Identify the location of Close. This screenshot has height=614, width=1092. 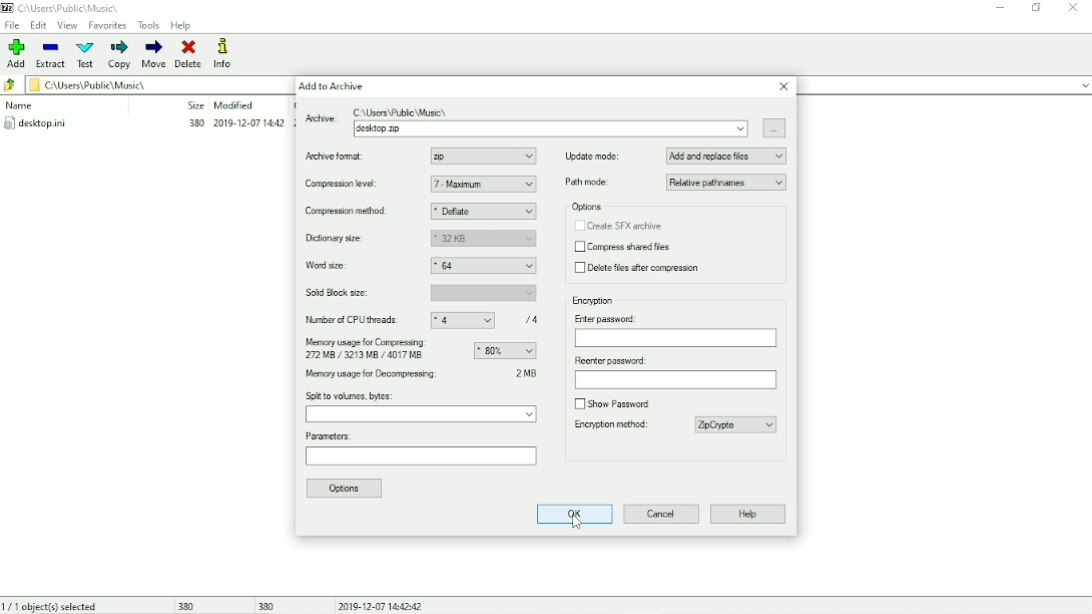
(1074, 7).